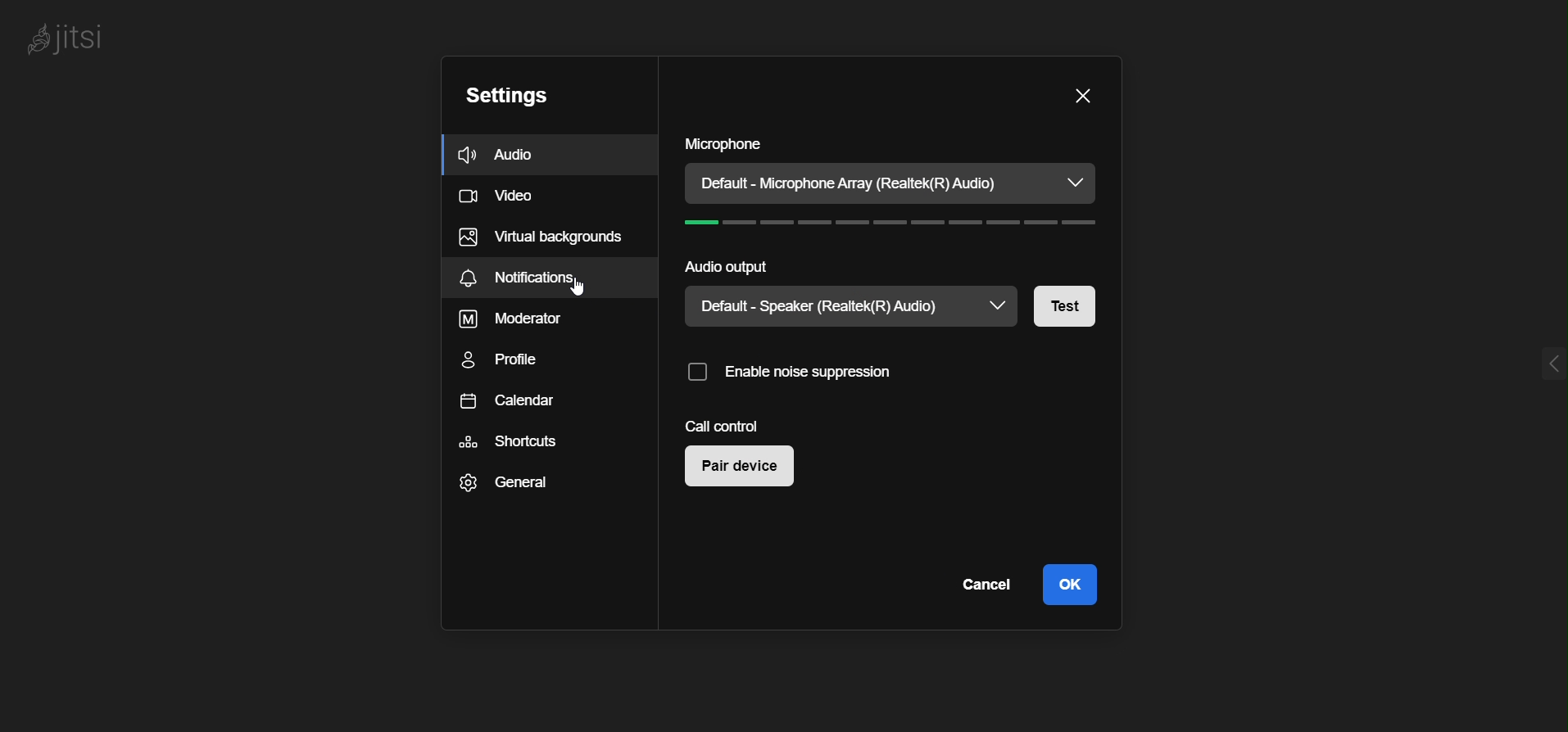 Image resolution: width=1568 pixels, height=732 pixels. Describe the element at coordinates (544, 235) in the screenshot. I see `virtual background` at that location.